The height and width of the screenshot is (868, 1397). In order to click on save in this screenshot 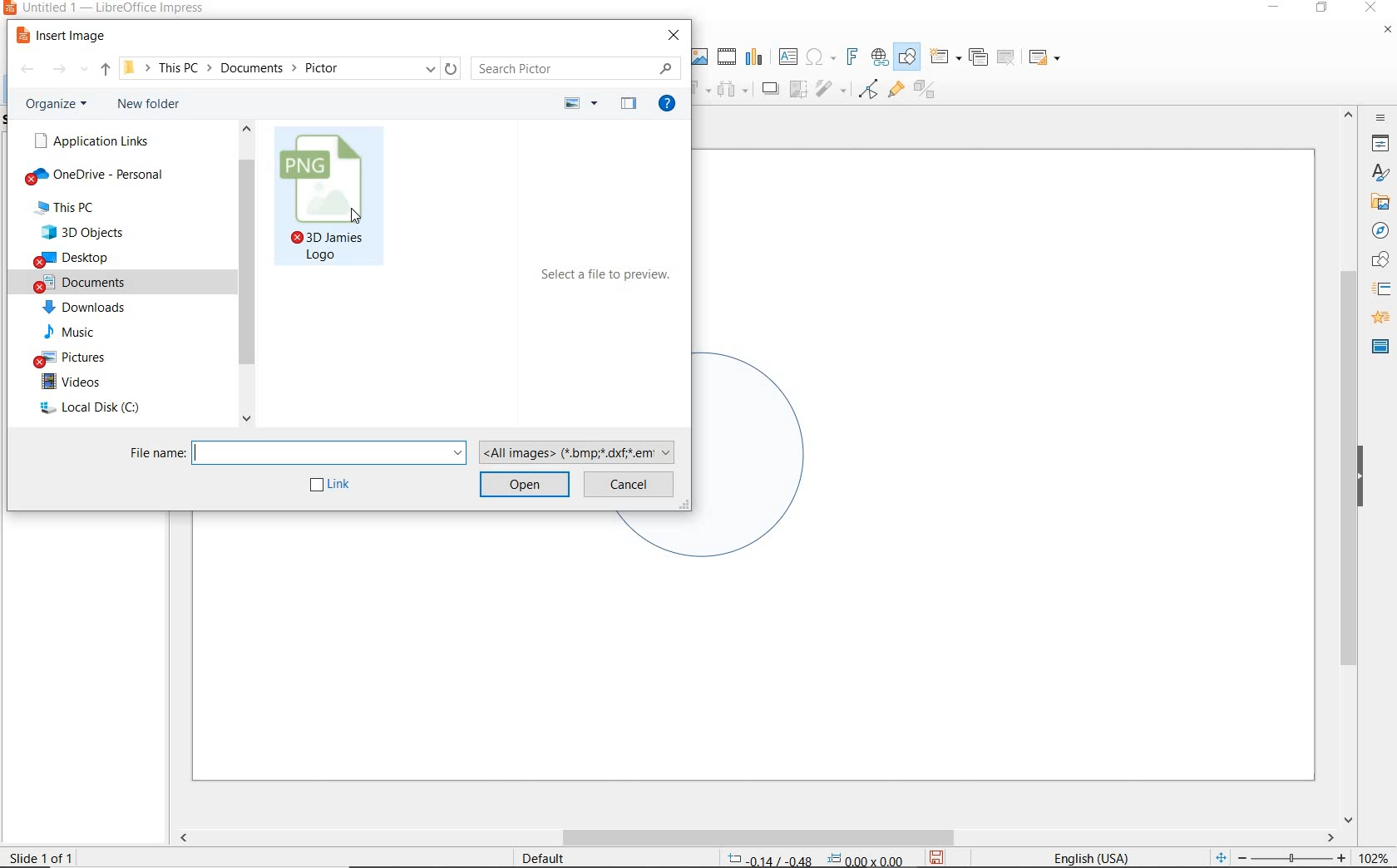, I will do `click(936, 857)`.